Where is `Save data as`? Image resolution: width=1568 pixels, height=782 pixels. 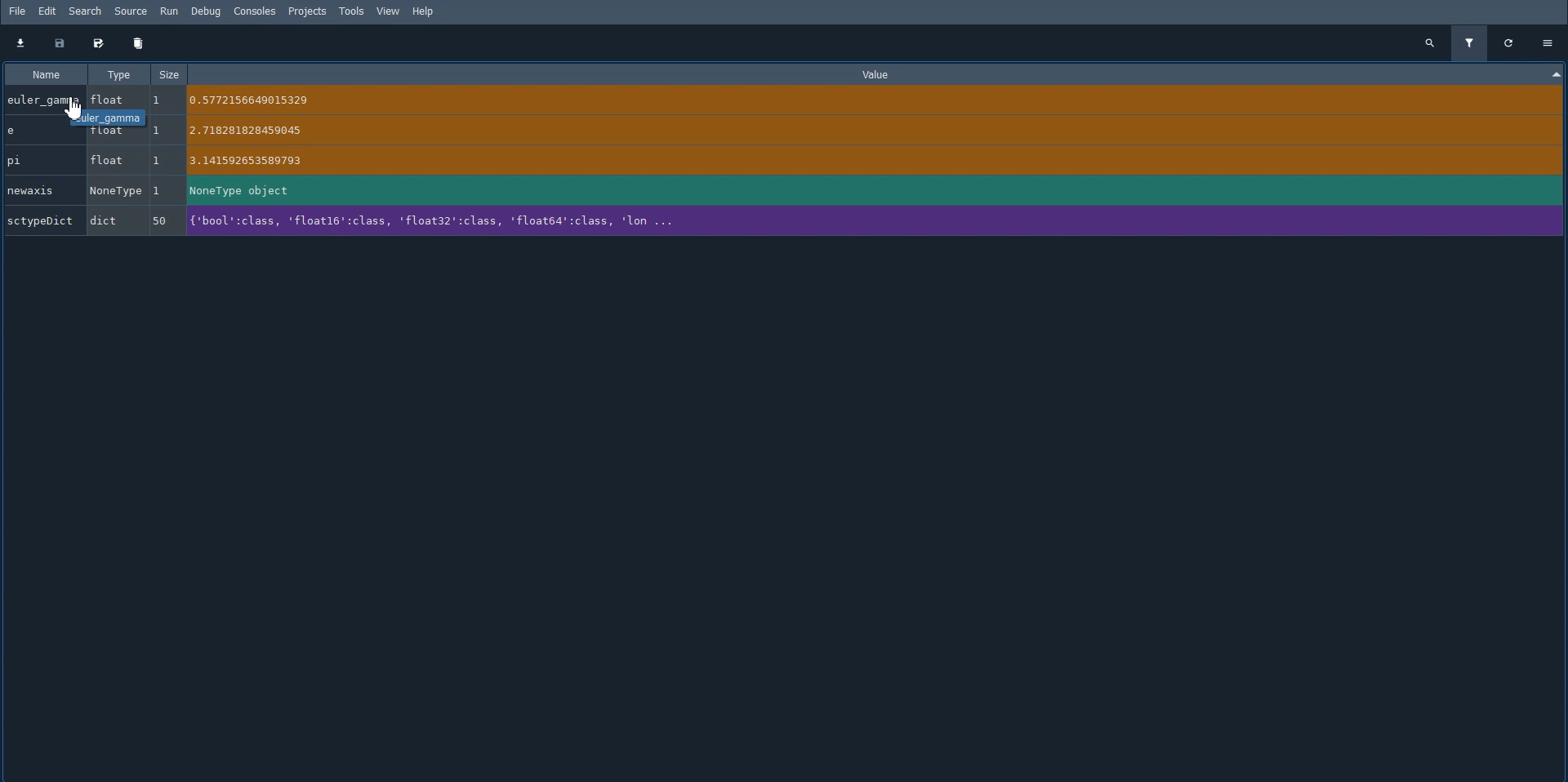 Save data as is located at coordinates (99, 45).